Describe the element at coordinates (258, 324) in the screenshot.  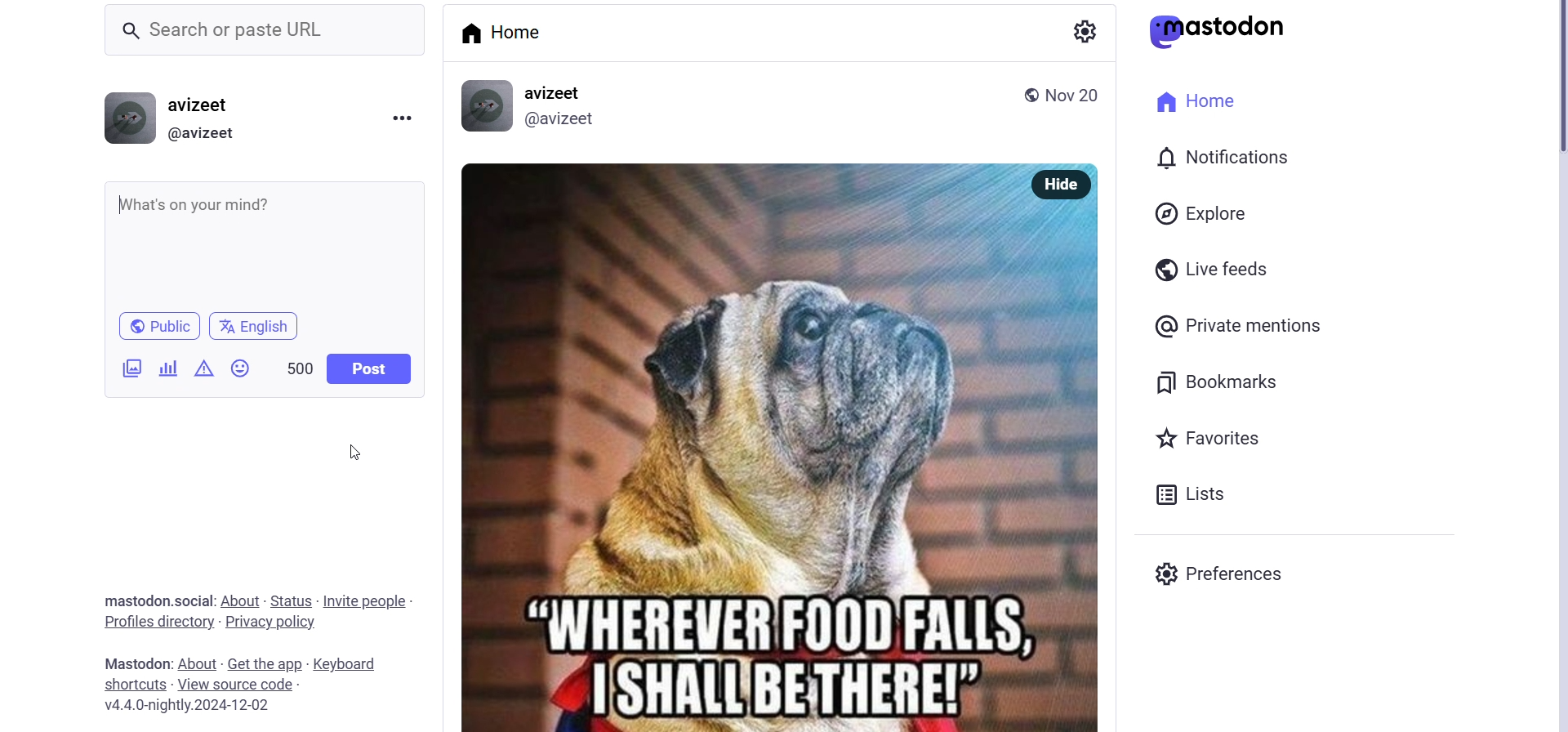
I see `english` at that location.